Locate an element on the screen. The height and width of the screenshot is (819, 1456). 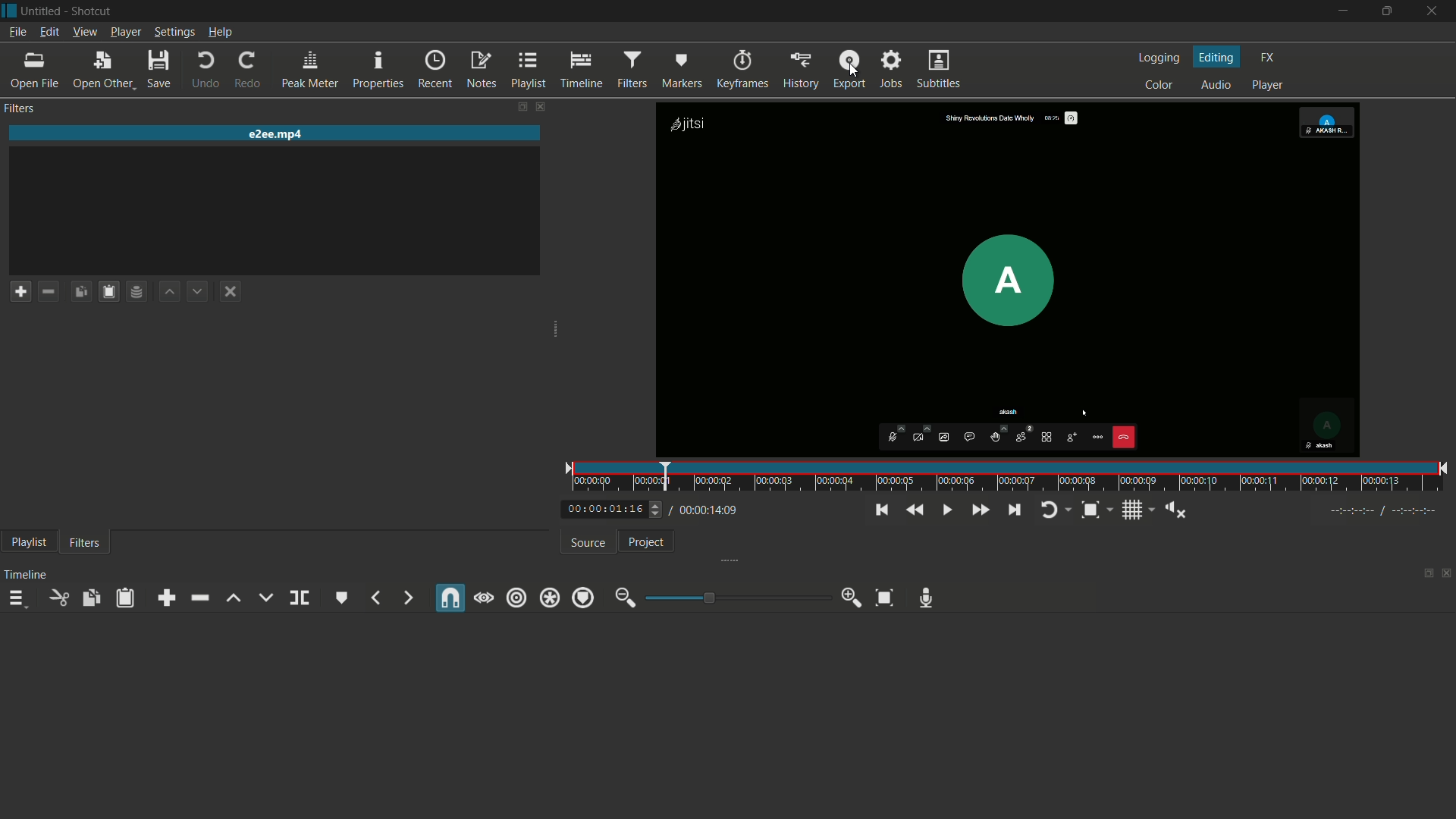
ripple all tracks is located at coordinates (551, 598).